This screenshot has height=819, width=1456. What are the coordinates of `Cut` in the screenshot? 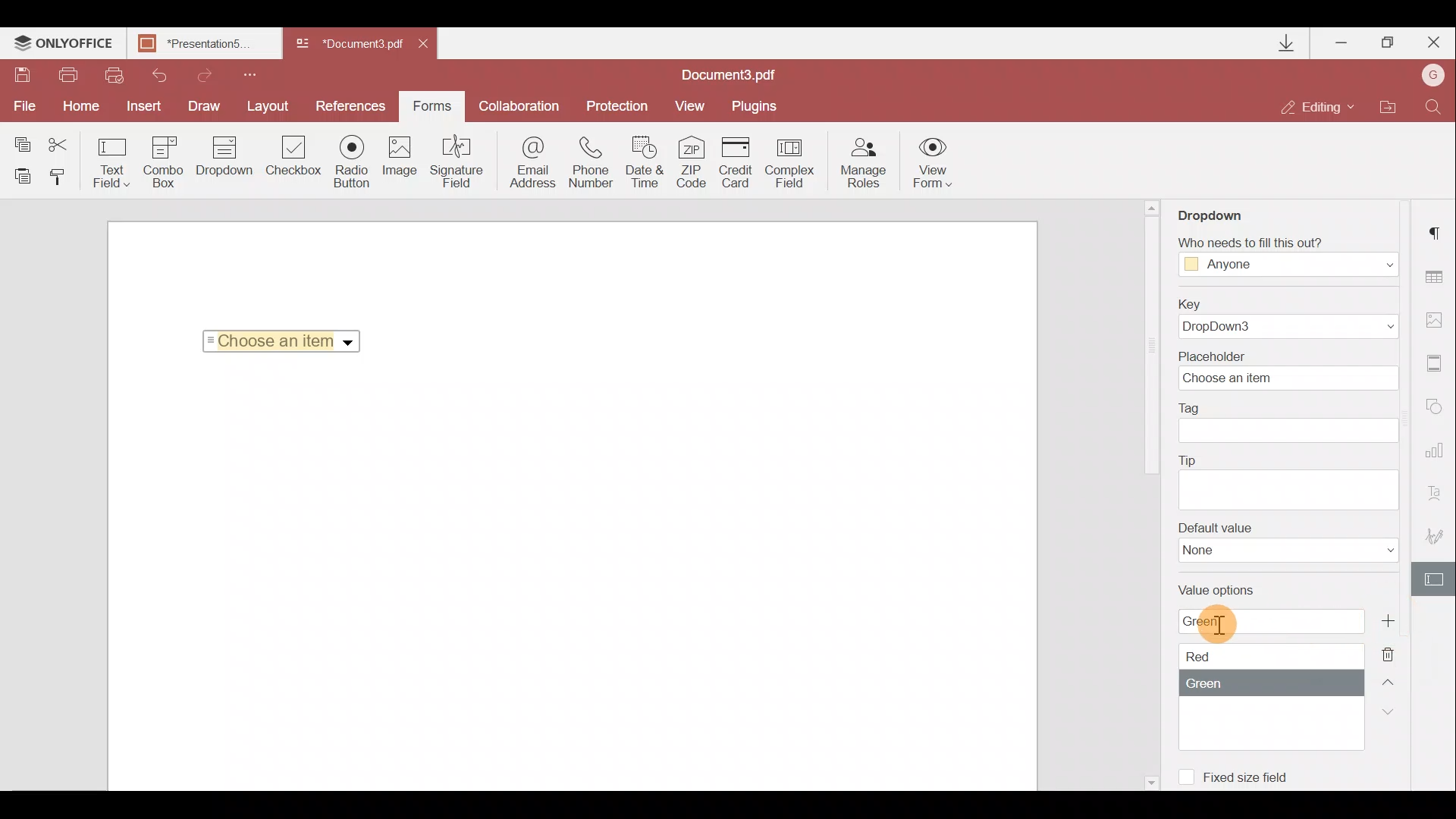 It's located at (60, 140).